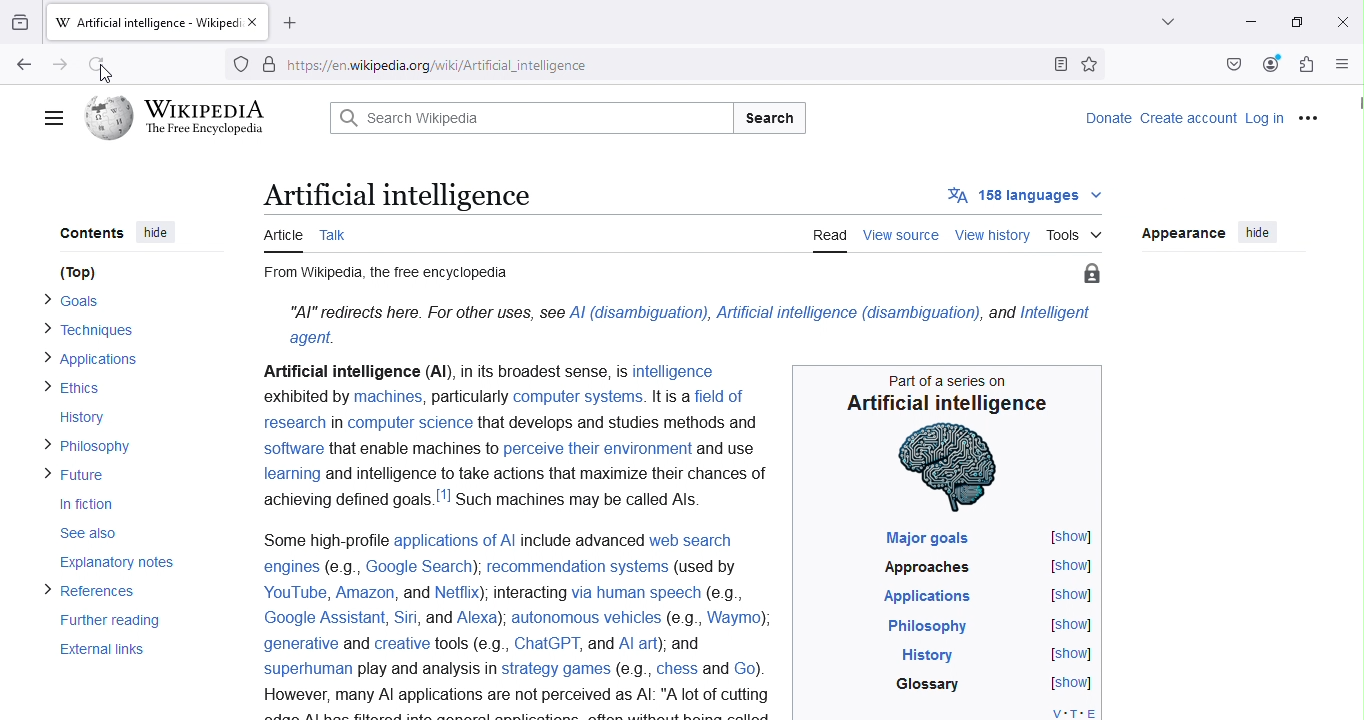  What do you see at coordinates (266, 65) in the screenshot?
I see `Site information` at bounding box center [266, 65].